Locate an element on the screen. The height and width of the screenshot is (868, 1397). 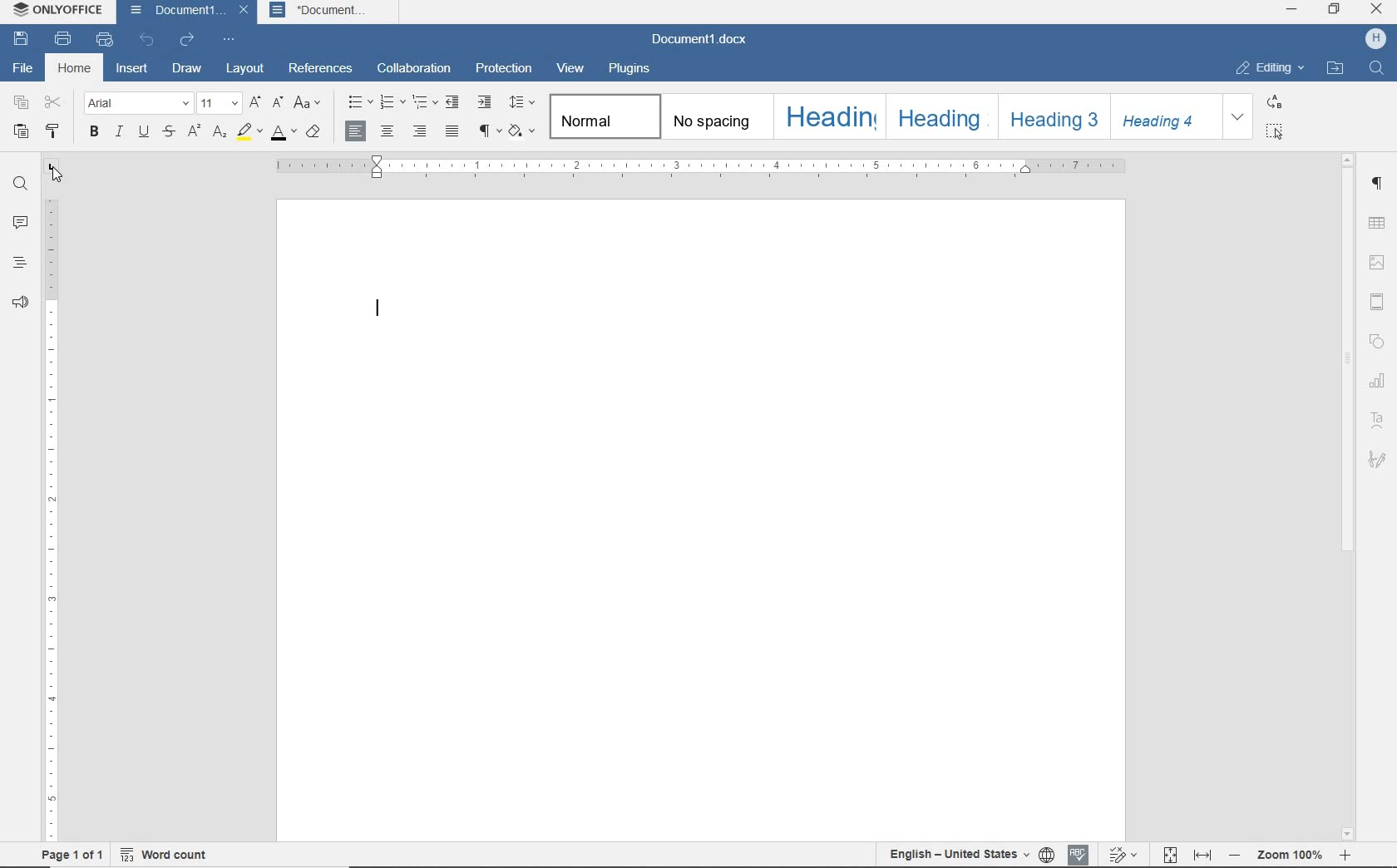
HEADING 1 is located at coordinates (827, 116).